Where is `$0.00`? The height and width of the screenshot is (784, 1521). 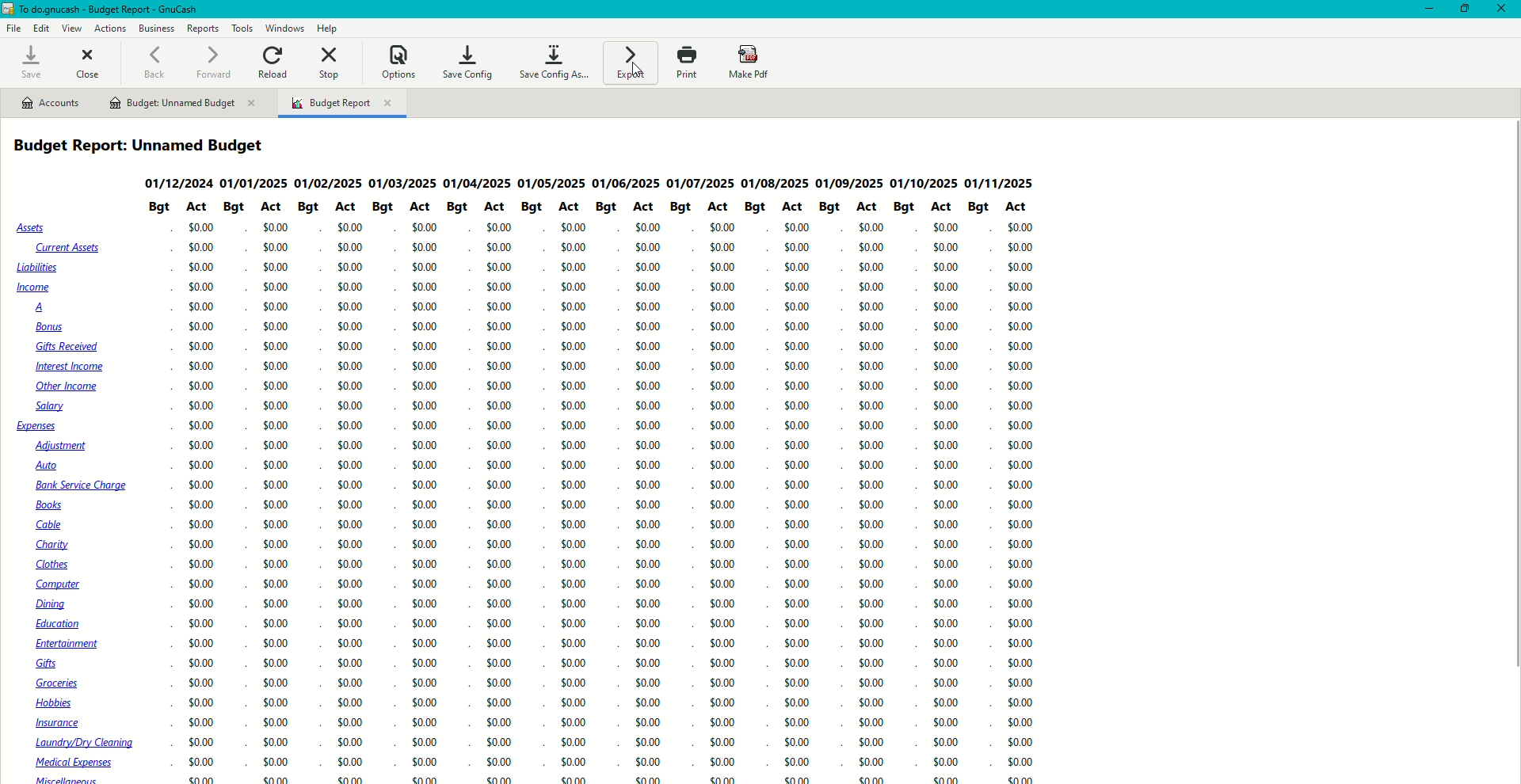
$0.00 is located at coordinates (495, 564).